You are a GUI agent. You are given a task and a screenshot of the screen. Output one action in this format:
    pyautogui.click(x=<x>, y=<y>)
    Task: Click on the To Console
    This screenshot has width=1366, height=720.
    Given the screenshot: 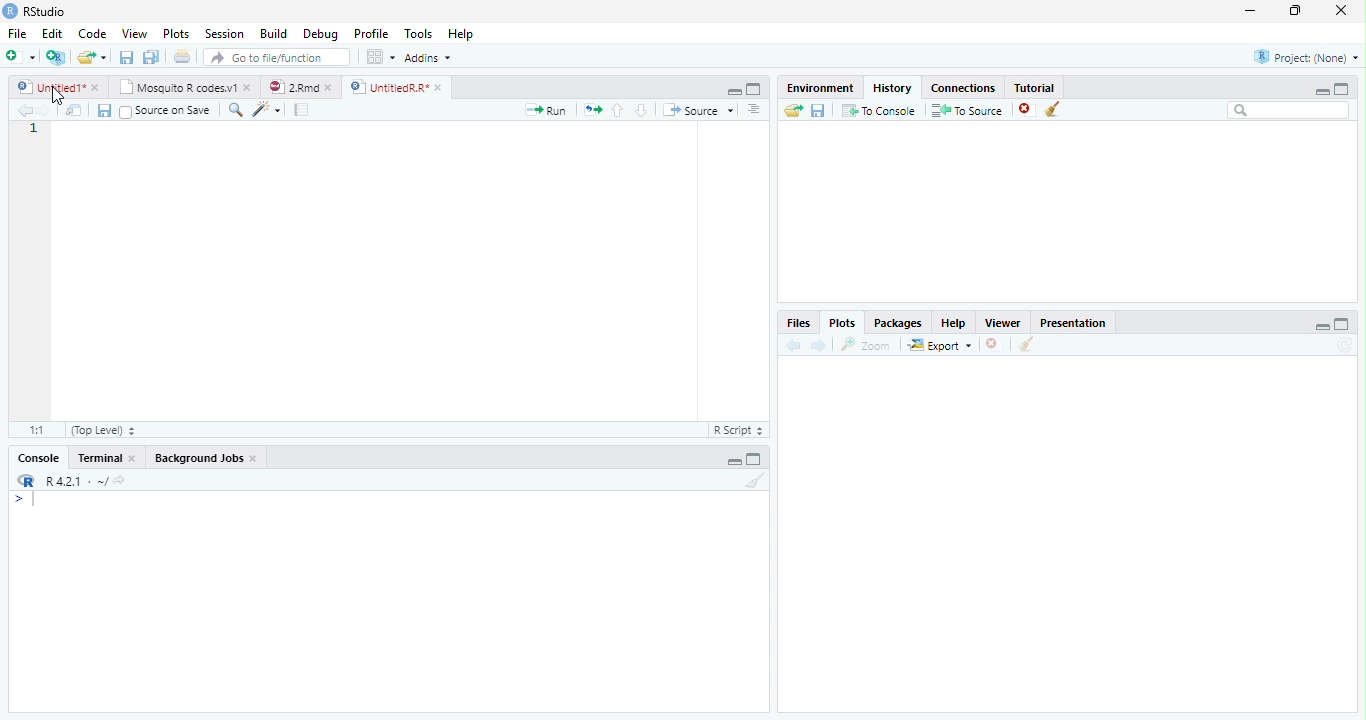 What is the action you would take?
    pyautogui.click(x=879, y=110)
    